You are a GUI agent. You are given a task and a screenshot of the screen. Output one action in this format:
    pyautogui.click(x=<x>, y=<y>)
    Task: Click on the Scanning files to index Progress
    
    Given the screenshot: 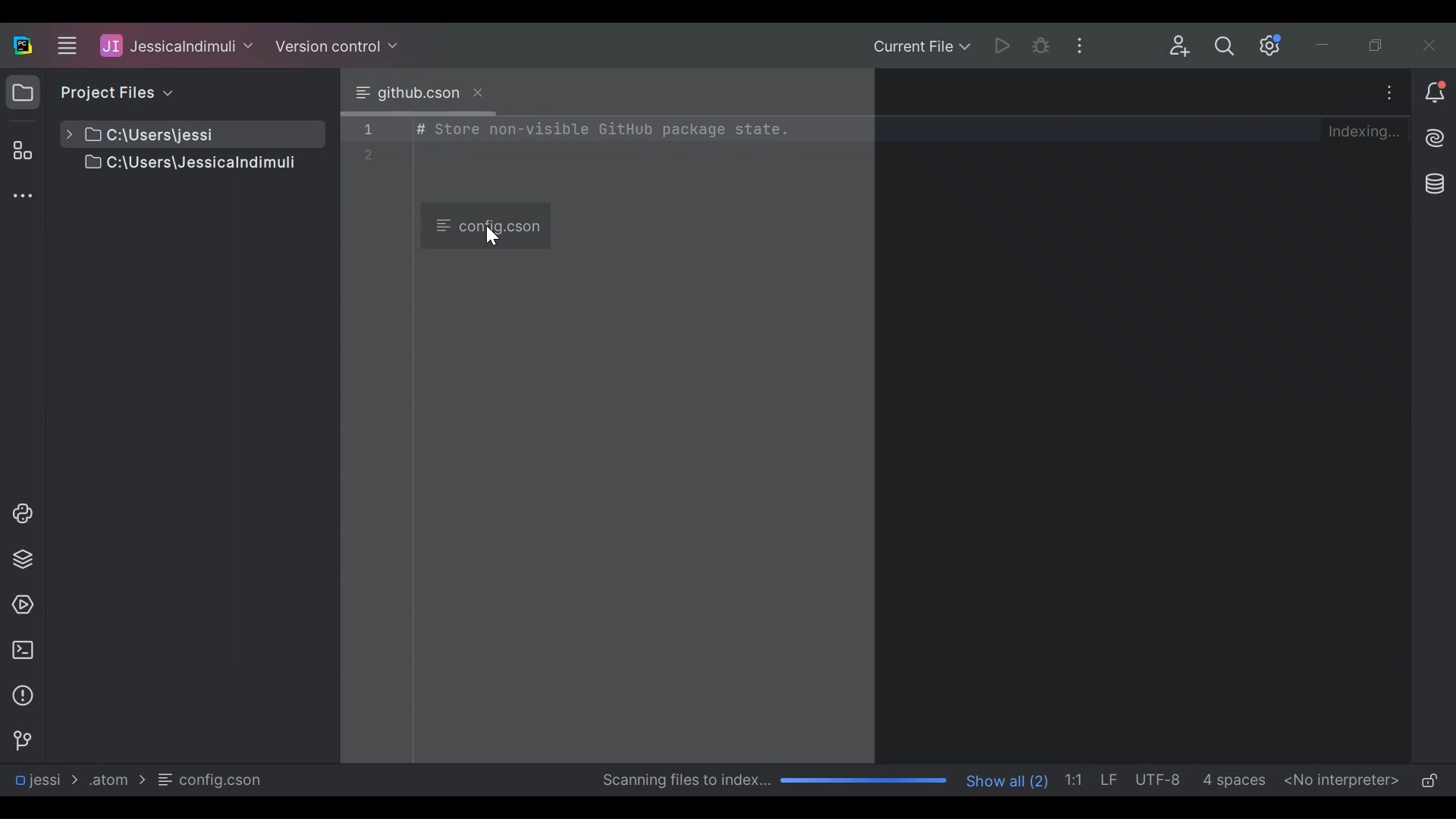 What is the action you would take?
    pyautogui.click(x=770, y=781)
    